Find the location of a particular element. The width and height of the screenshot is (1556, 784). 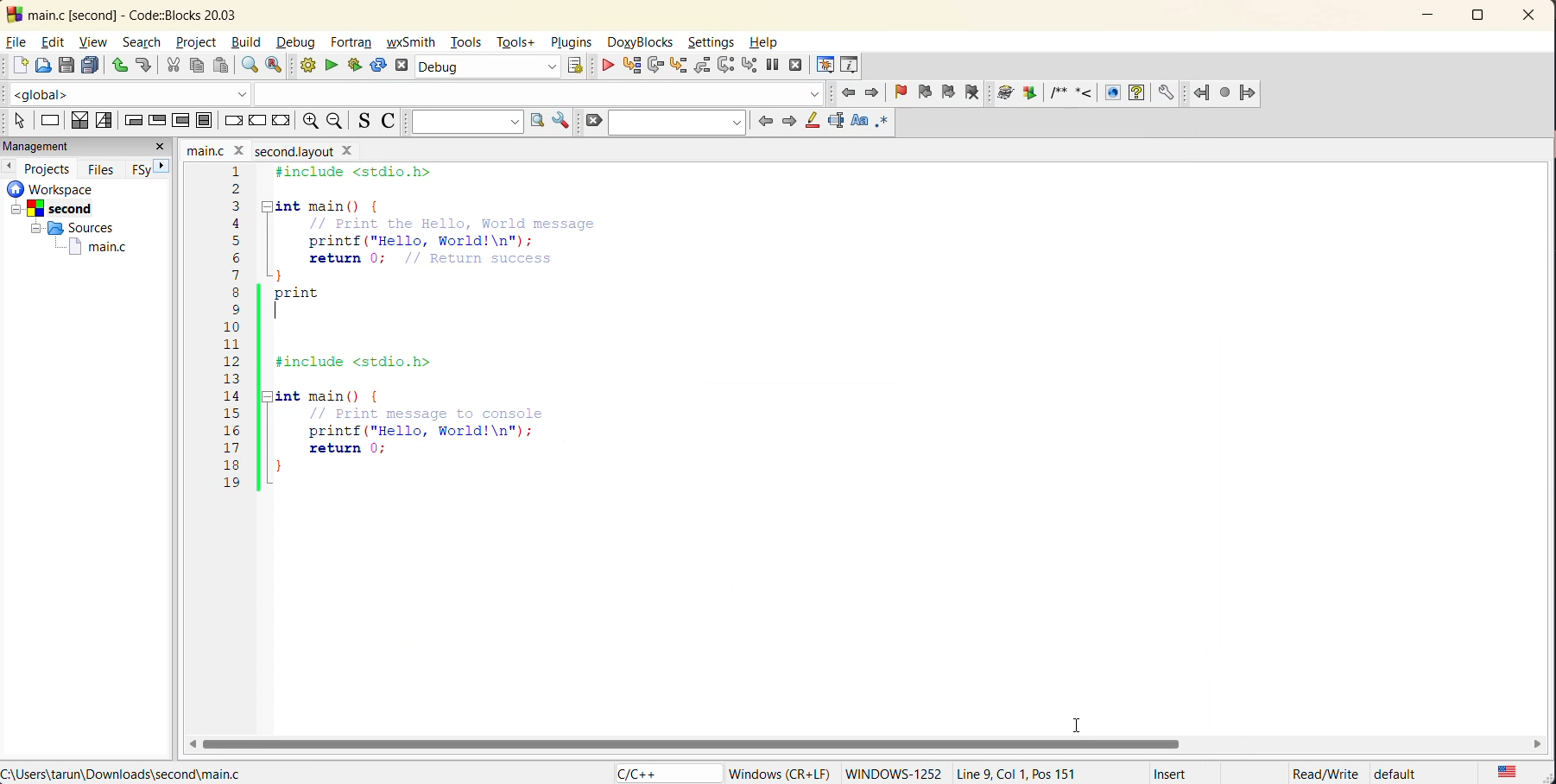

show select target dialog is located at coordinates (578, 67).